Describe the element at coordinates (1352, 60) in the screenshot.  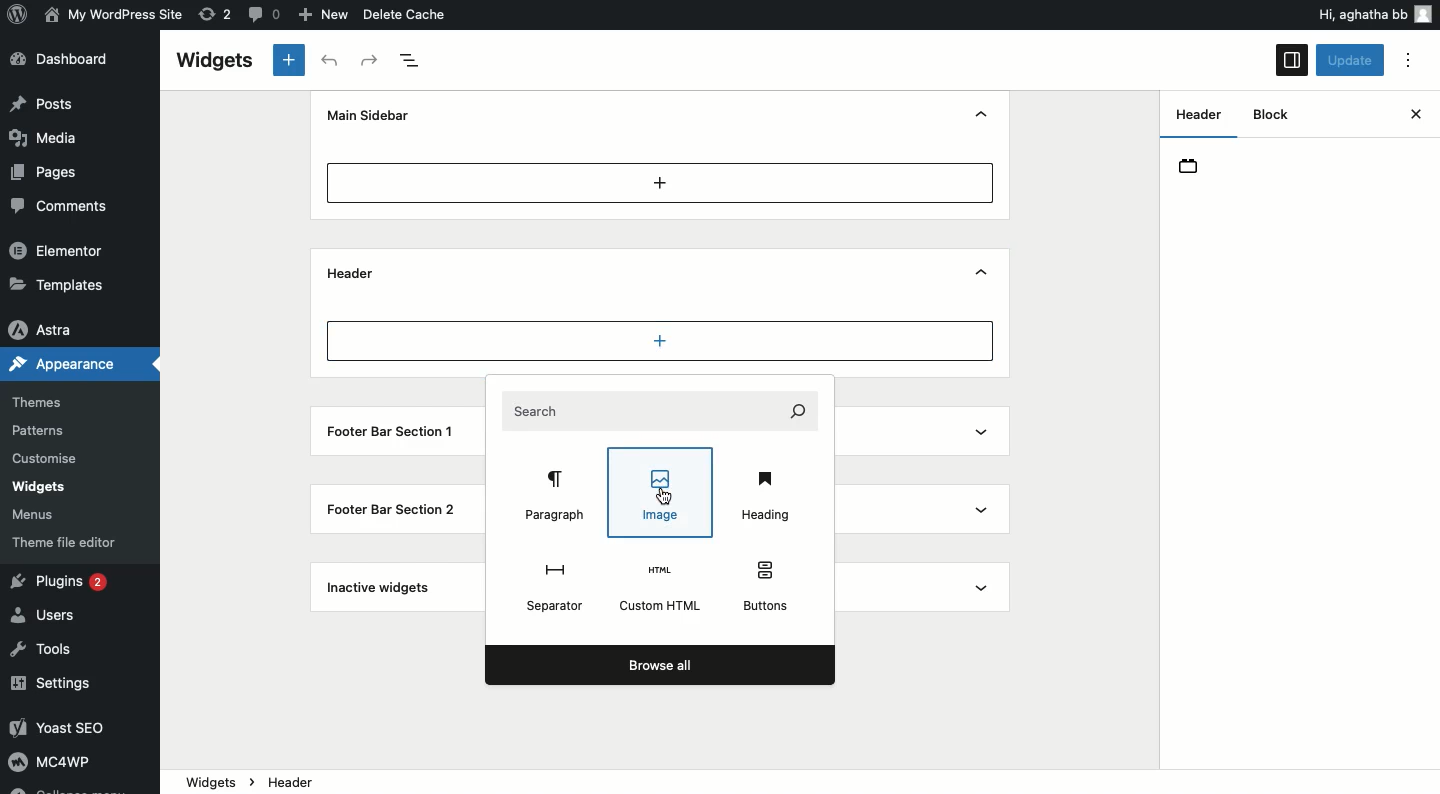
I see `Update` at that location.